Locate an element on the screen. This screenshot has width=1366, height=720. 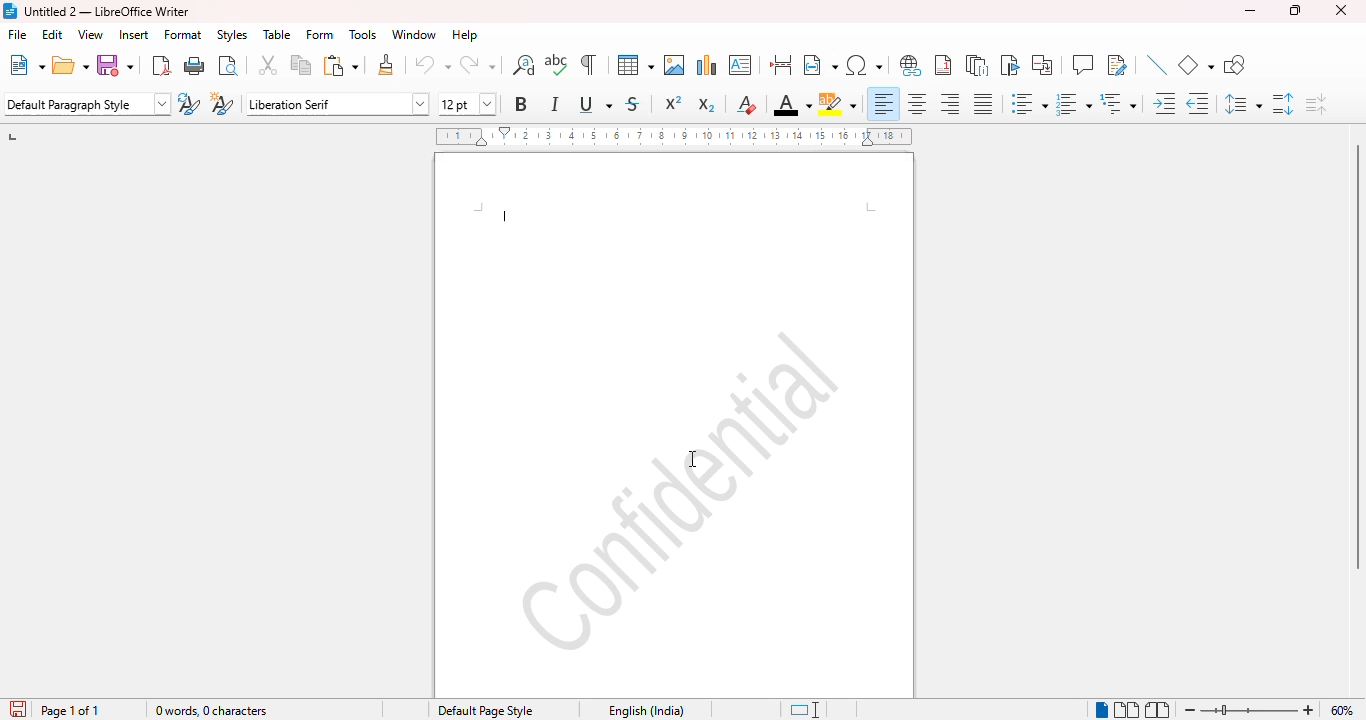
zoom factor is located at coordinates (1342, 710).